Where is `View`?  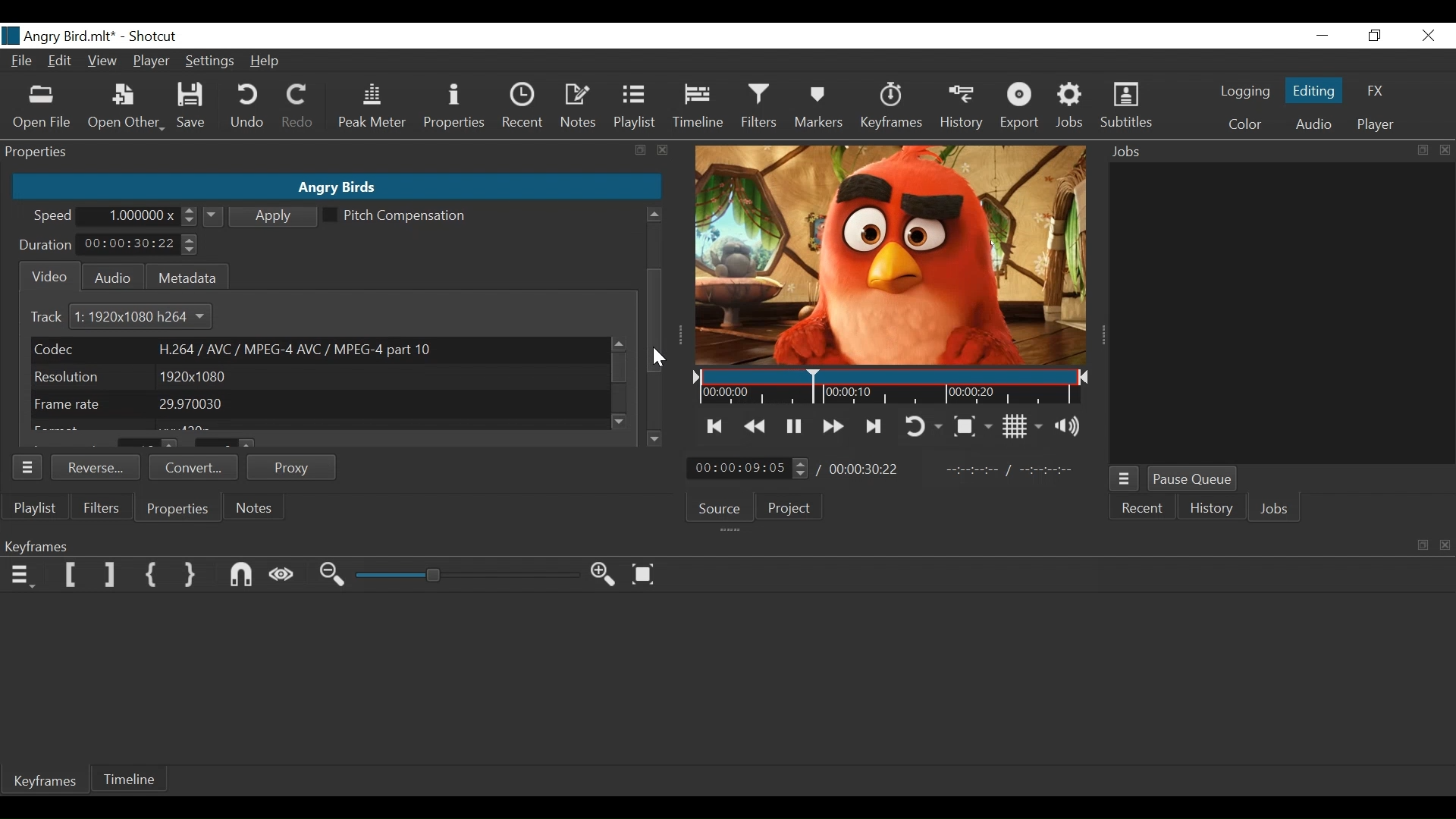
View is located at coordinates (101, 60).